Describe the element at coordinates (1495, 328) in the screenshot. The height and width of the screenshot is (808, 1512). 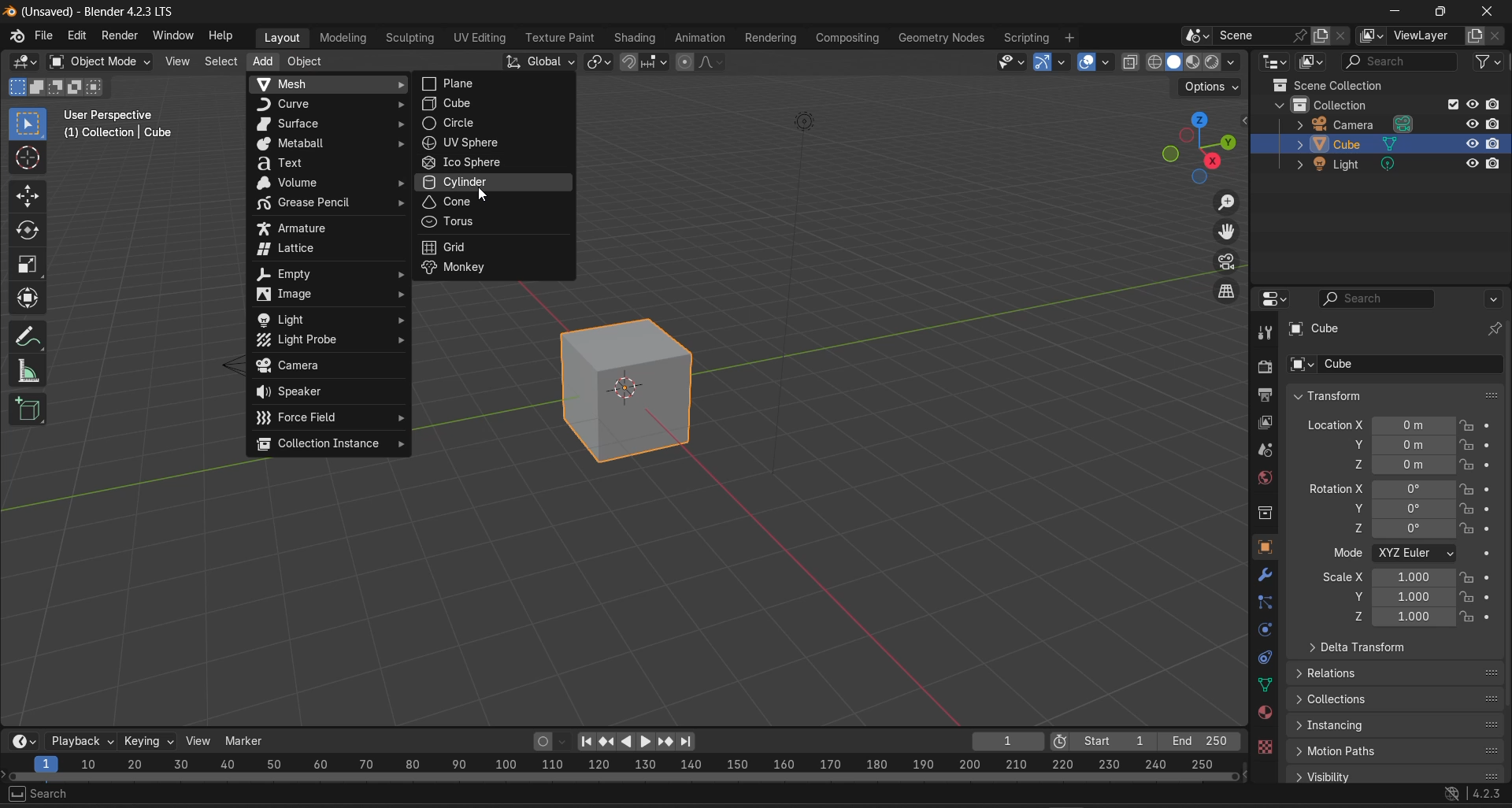
I see `toggle pin ID` at that location.